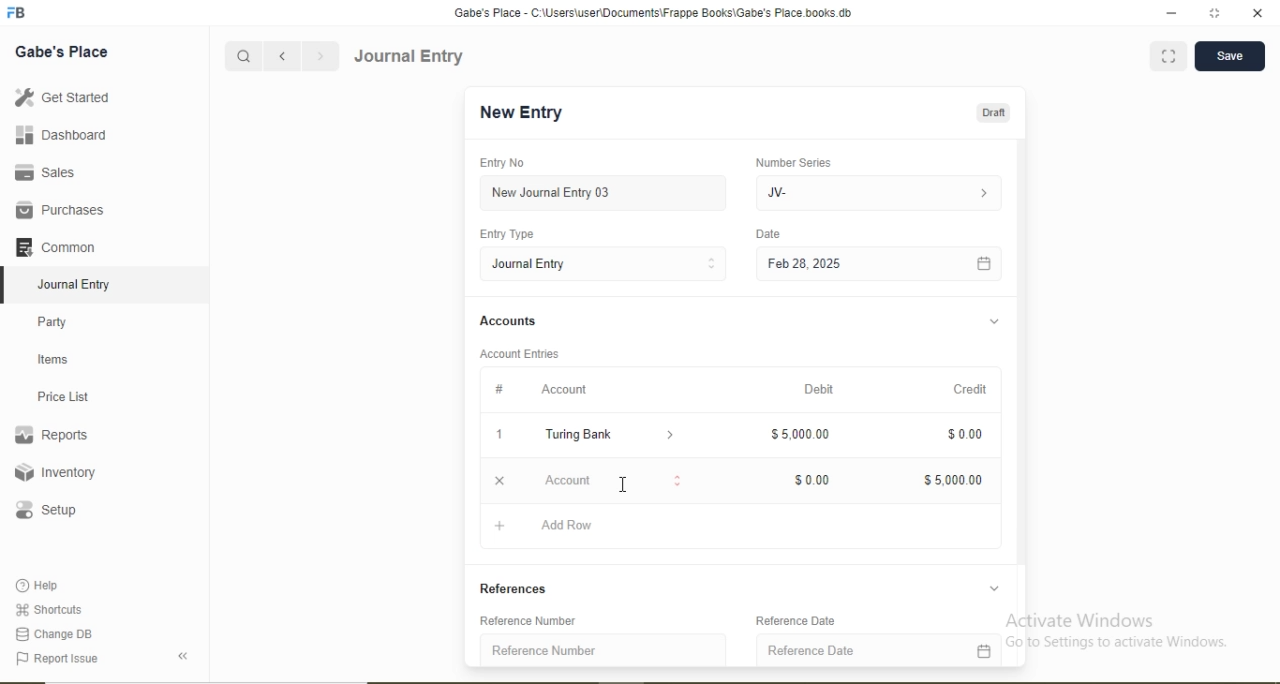 The image size is (1280, 684). What do you see at coordinates (544, 650) in the screenshot?
I see `Reference Number` at bounding box center [544, 650].